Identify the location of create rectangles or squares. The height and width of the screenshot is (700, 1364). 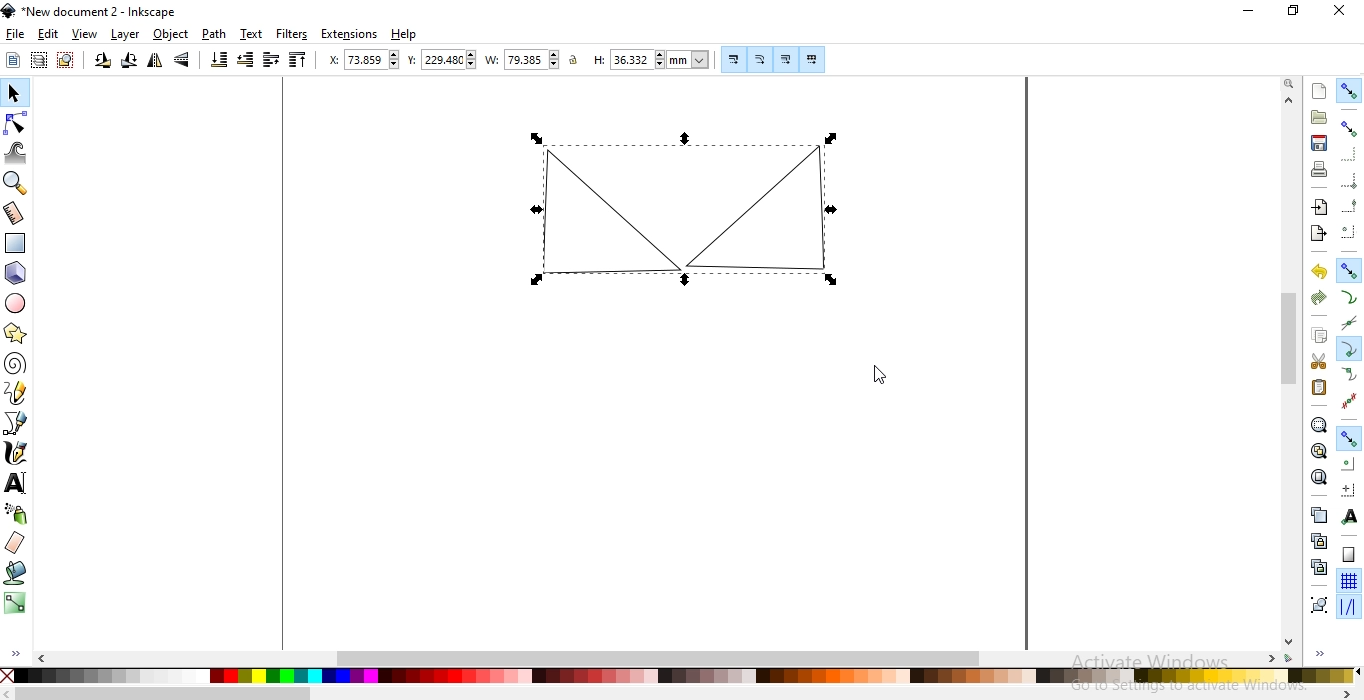
(15, 244).